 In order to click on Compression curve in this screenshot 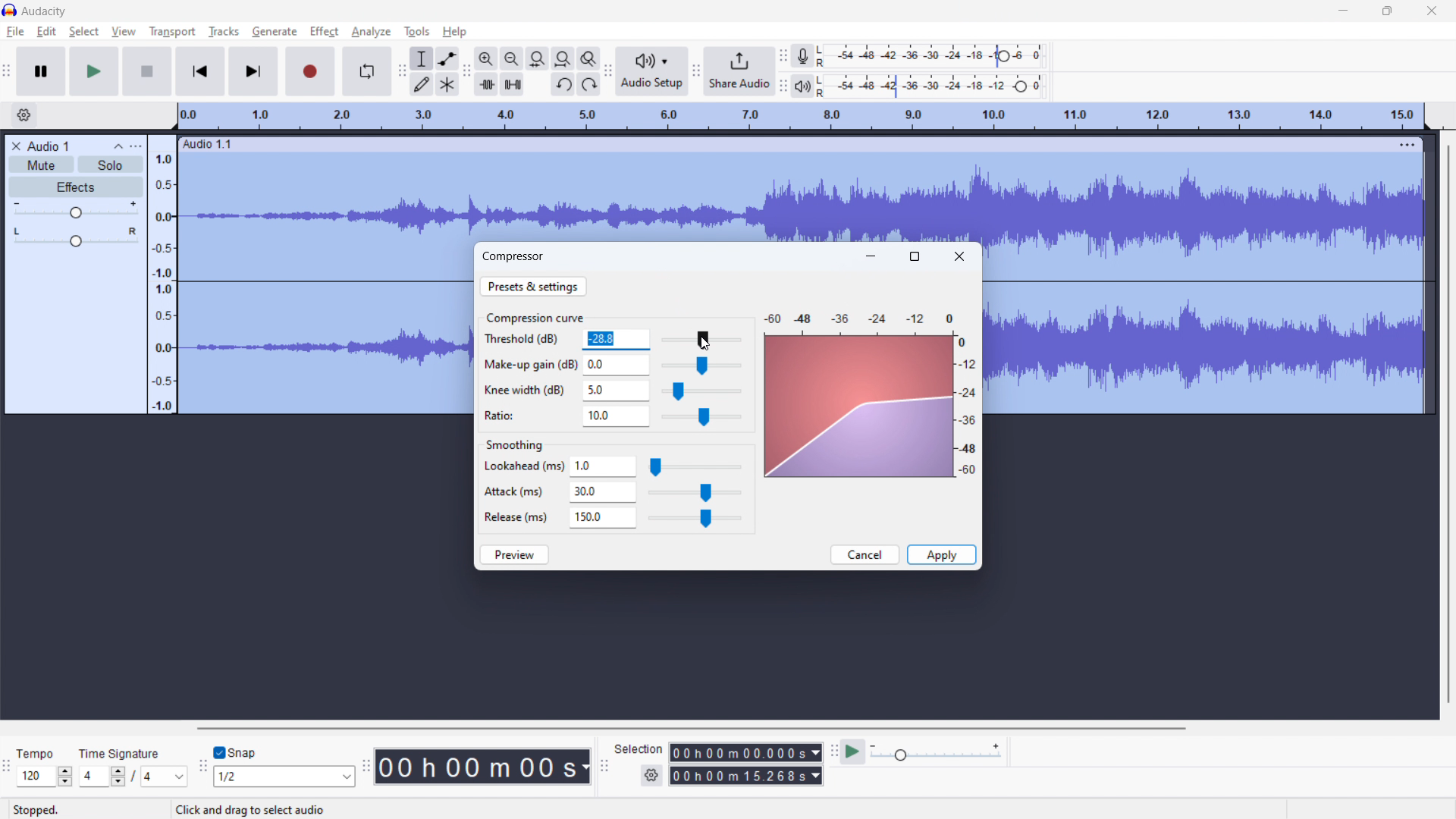, I will do `click(535, 317)`.